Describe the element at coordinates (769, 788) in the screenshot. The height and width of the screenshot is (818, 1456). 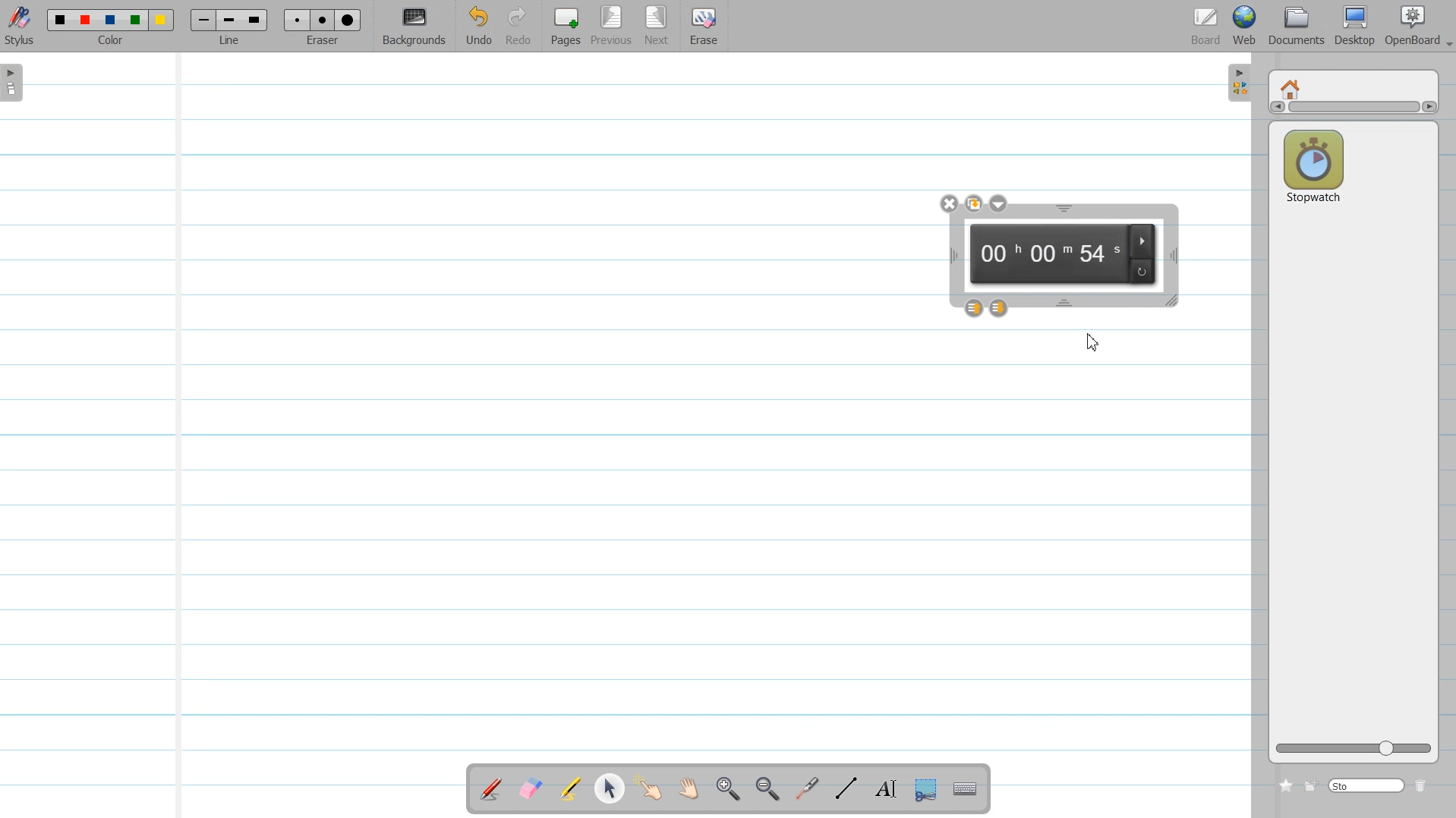
I see `Zoom ////out` at that location.